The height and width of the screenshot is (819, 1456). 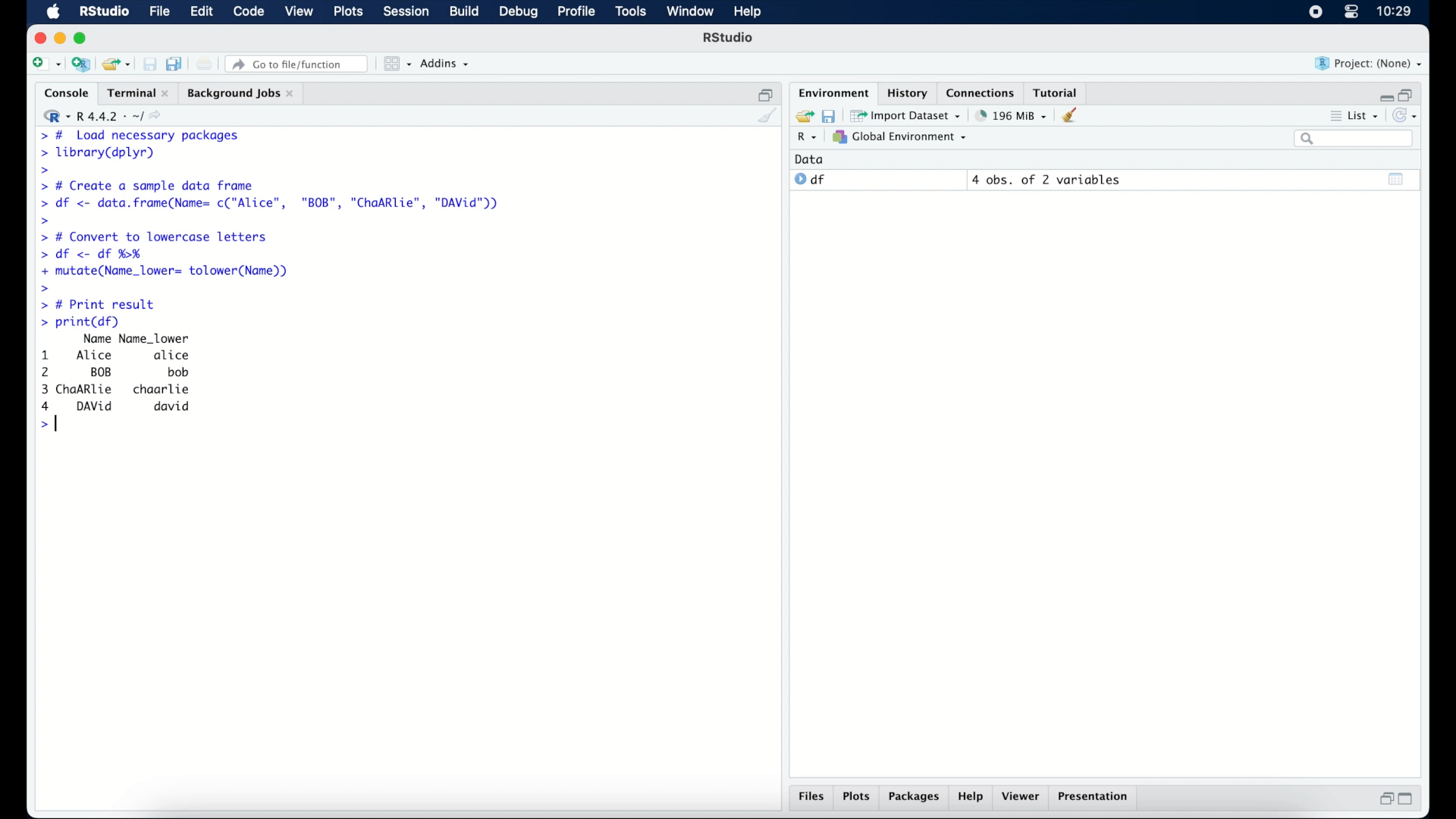 I want to click on save all documents , so click(x=176, y=63).